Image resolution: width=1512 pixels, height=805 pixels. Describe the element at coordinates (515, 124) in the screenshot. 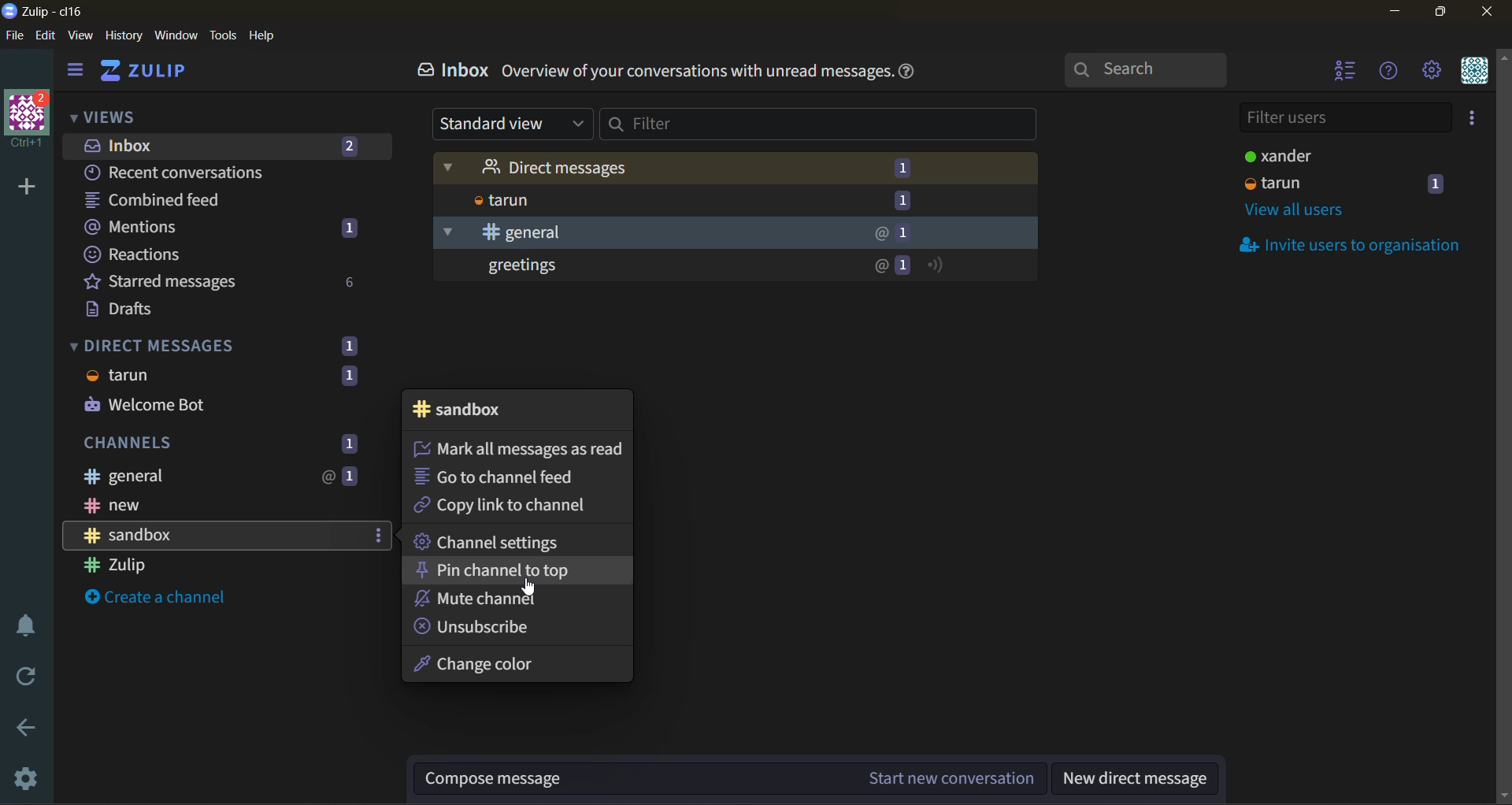

I see `standard view` at that location.